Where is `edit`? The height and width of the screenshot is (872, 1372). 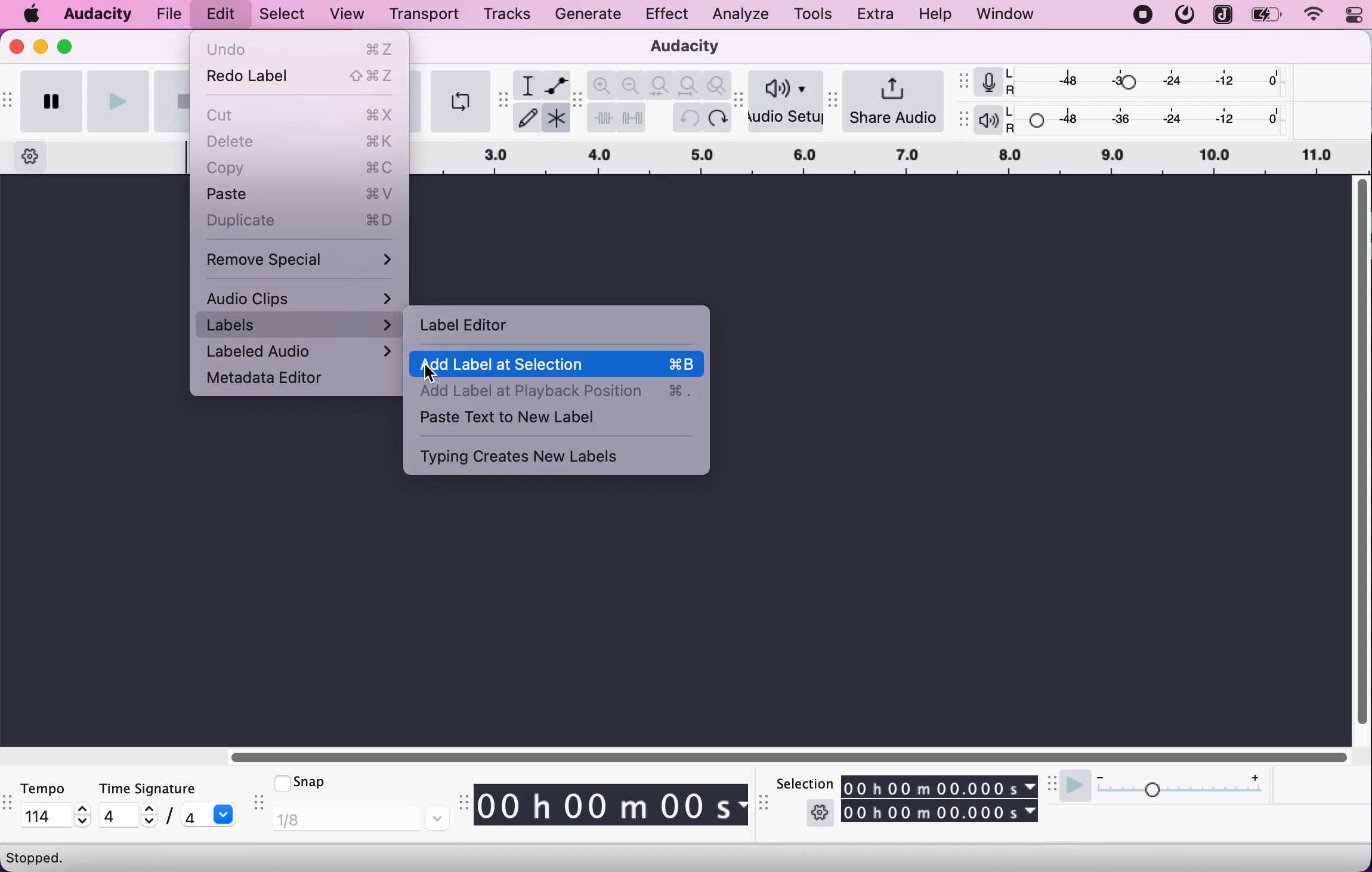 edit is located at coordinates (223, 14).